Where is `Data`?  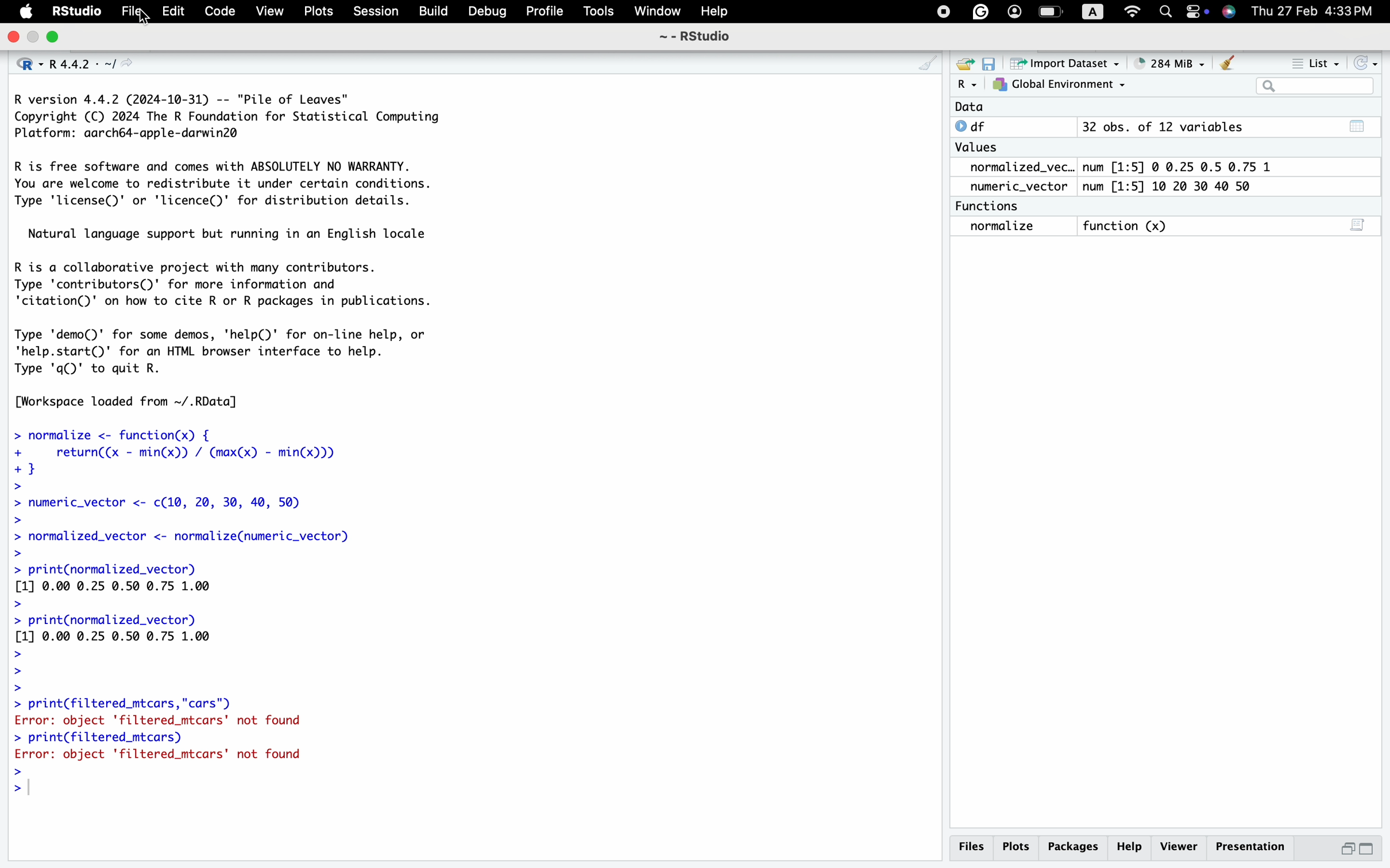 Data is located at coordinates (969, 107).